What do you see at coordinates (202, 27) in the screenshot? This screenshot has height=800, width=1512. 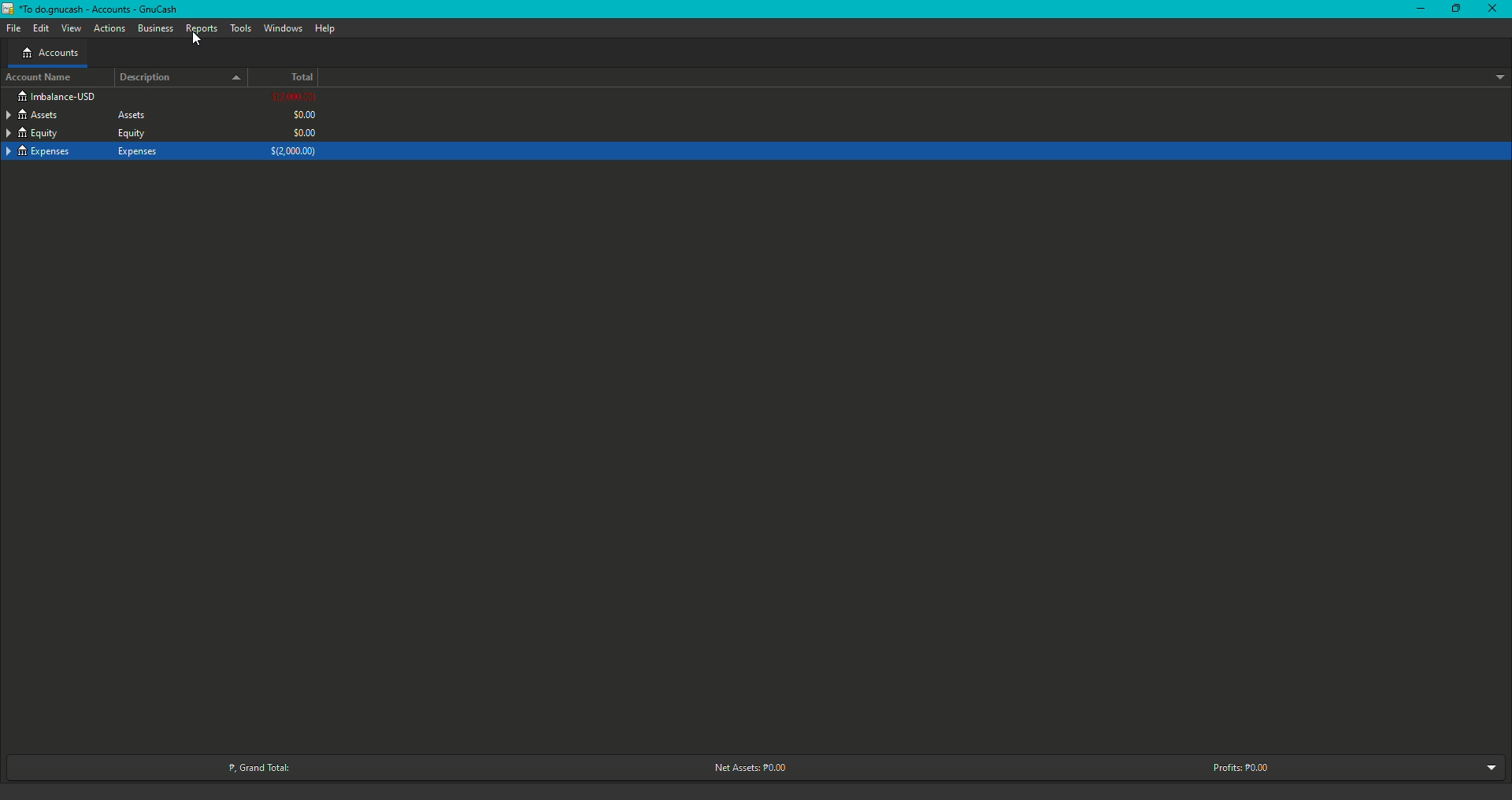 I see `Reports` at bounding box center [202, 27].